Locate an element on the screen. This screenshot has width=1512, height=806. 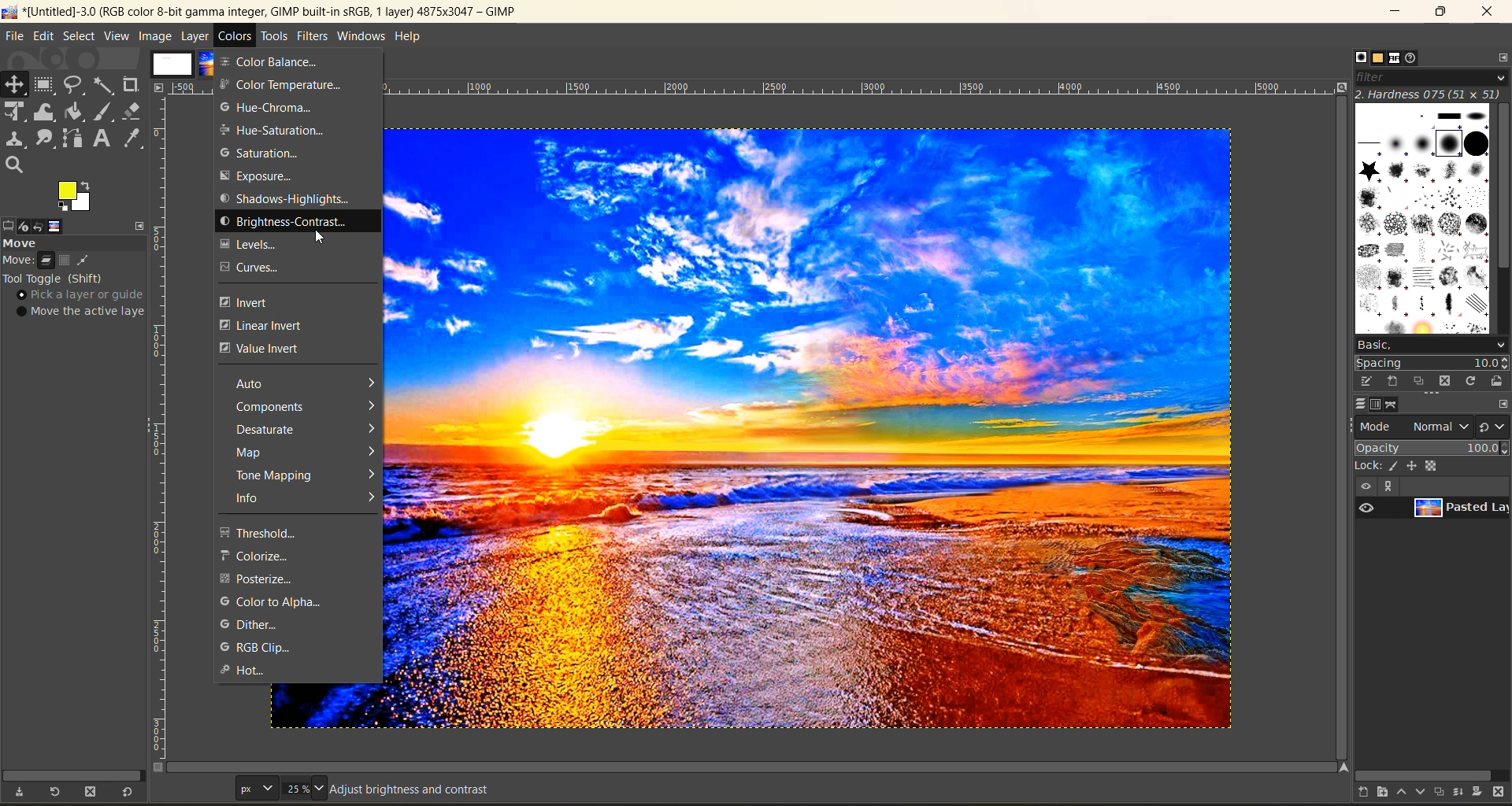
basic is located at coordinates (1431, 345).